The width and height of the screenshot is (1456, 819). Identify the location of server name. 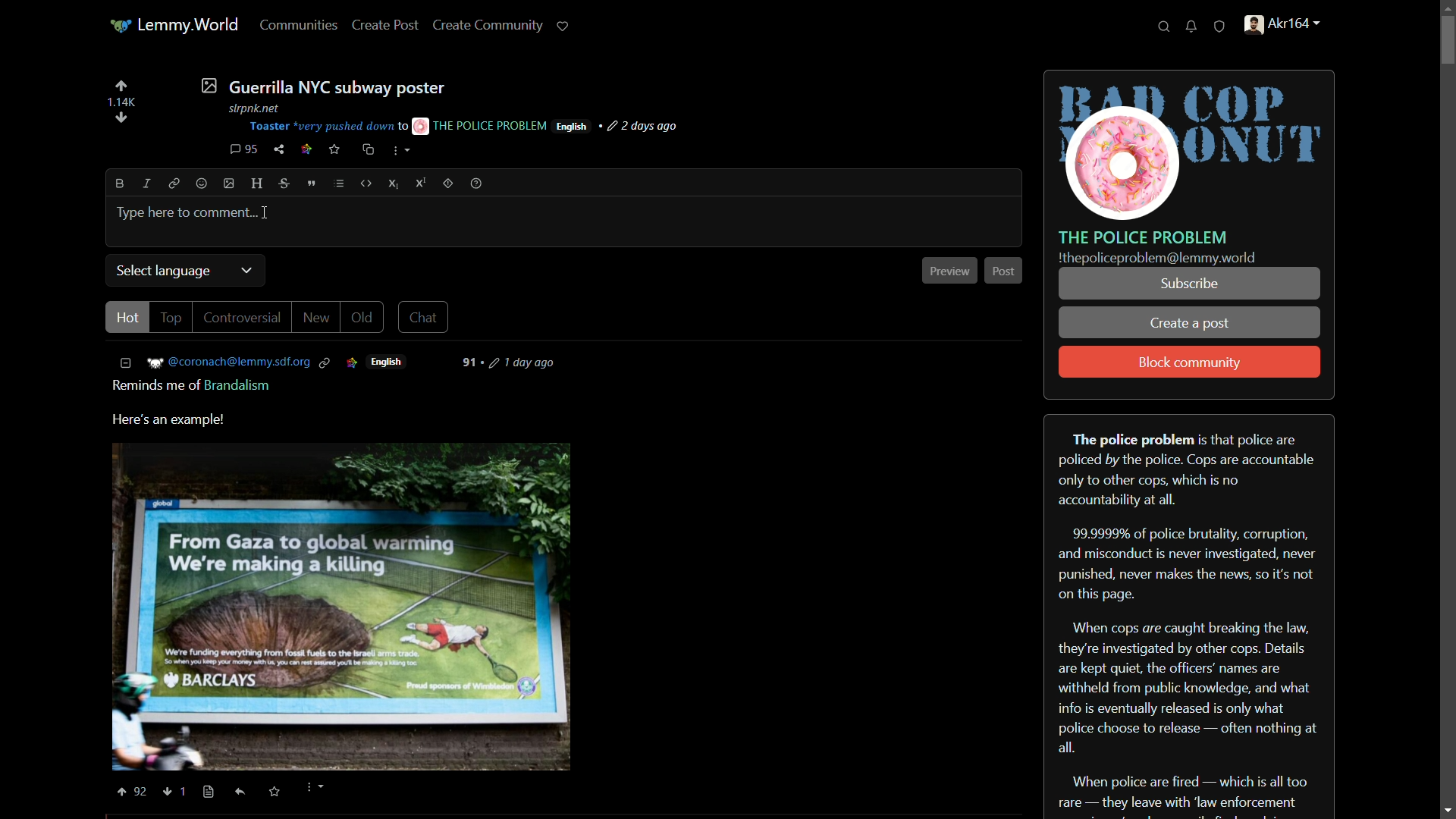
(189, 24).